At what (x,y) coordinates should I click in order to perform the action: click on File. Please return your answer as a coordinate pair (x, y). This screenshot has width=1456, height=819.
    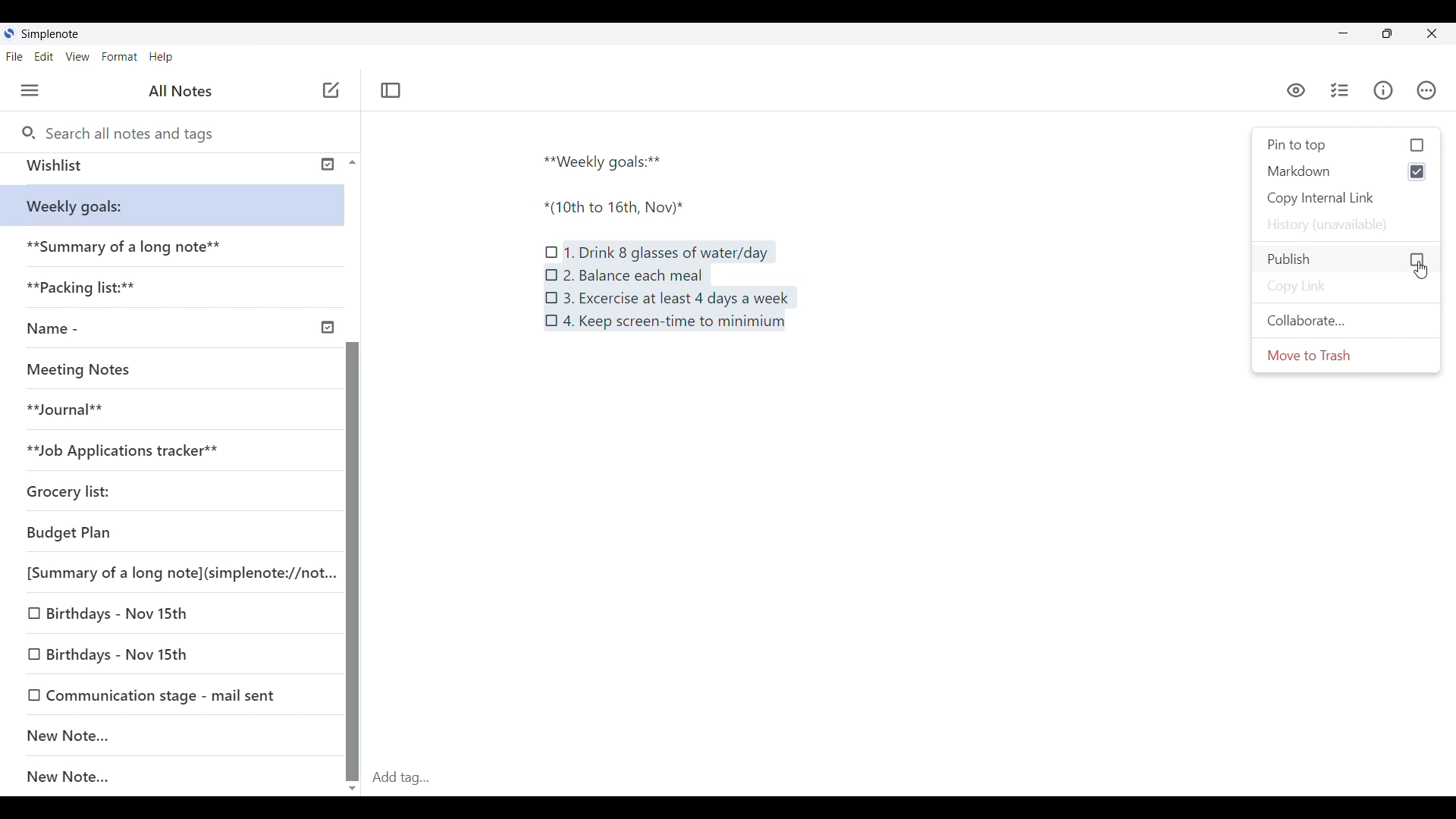
    Looking at the image, I should click on (17, 56).